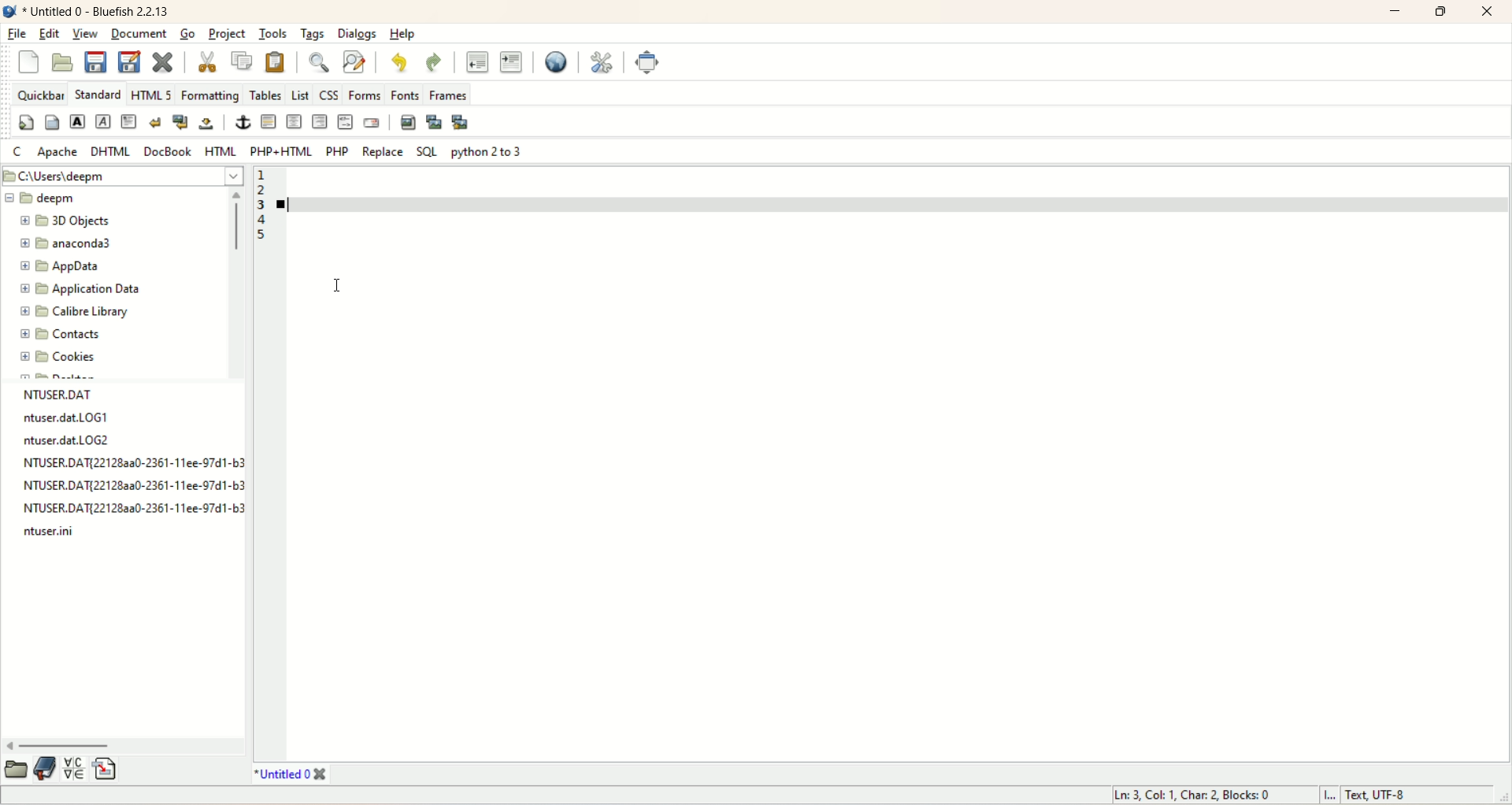 The image size is (1512, 805). What do you see at coordinates (294, 121) in the screenshot?
I see `center` at bounding box center [294, 121].